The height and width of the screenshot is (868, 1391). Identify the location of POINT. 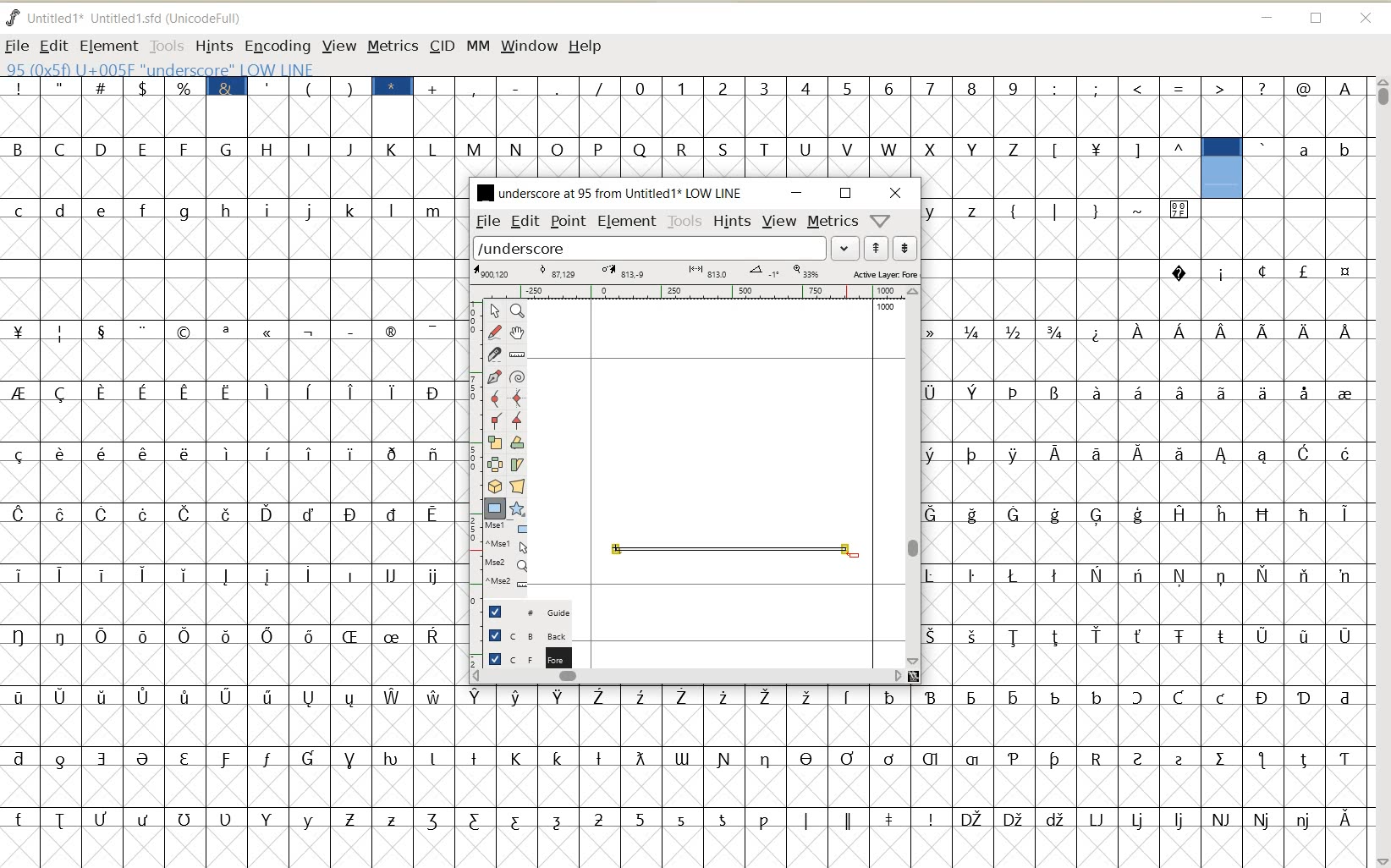
(569, 223).